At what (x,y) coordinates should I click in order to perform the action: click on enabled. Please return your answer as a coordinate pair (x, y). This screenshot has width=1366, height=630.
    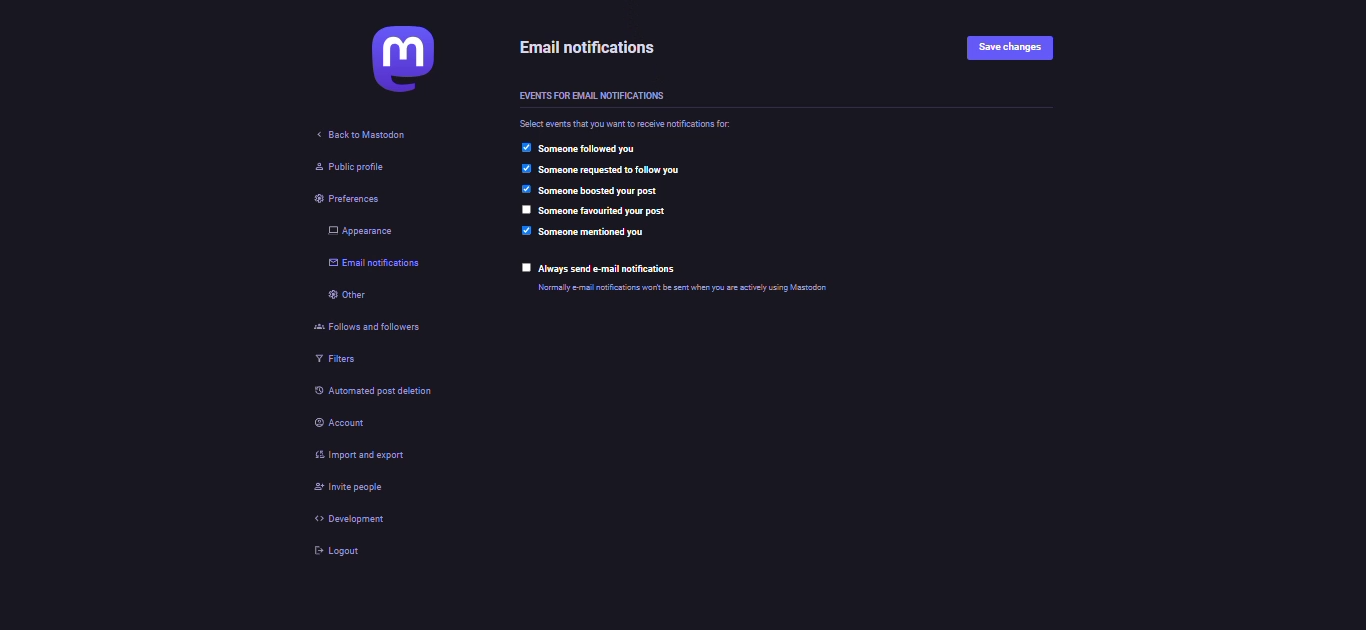
    Looking at the image, I should click on (527, 231).